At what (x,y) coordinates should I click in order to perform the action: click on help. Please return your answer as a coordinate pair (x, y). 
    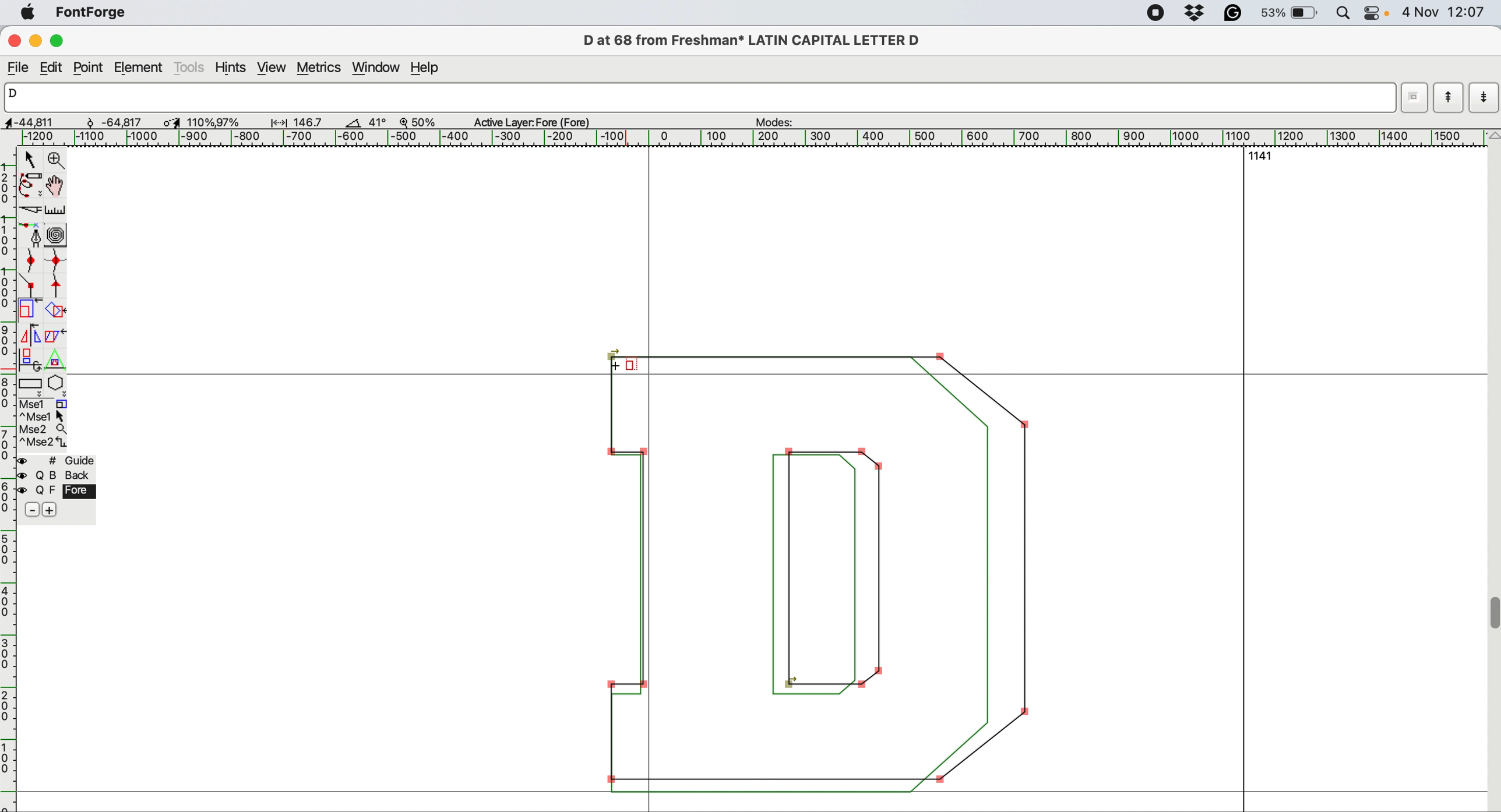
    Looking at the image, I should click on (430, 69).